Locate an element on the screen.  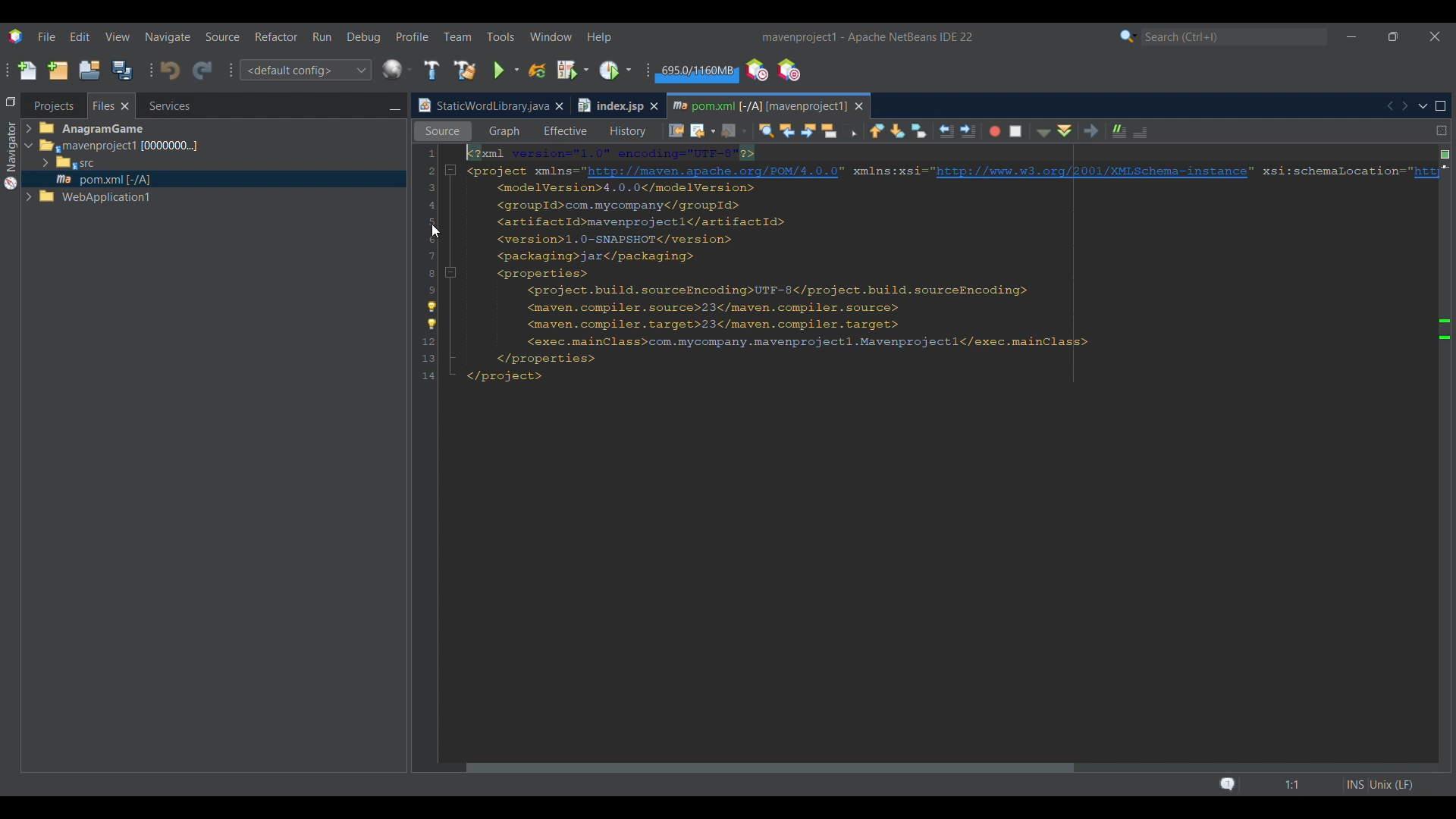
Undo is located at coordinates (170, 71).